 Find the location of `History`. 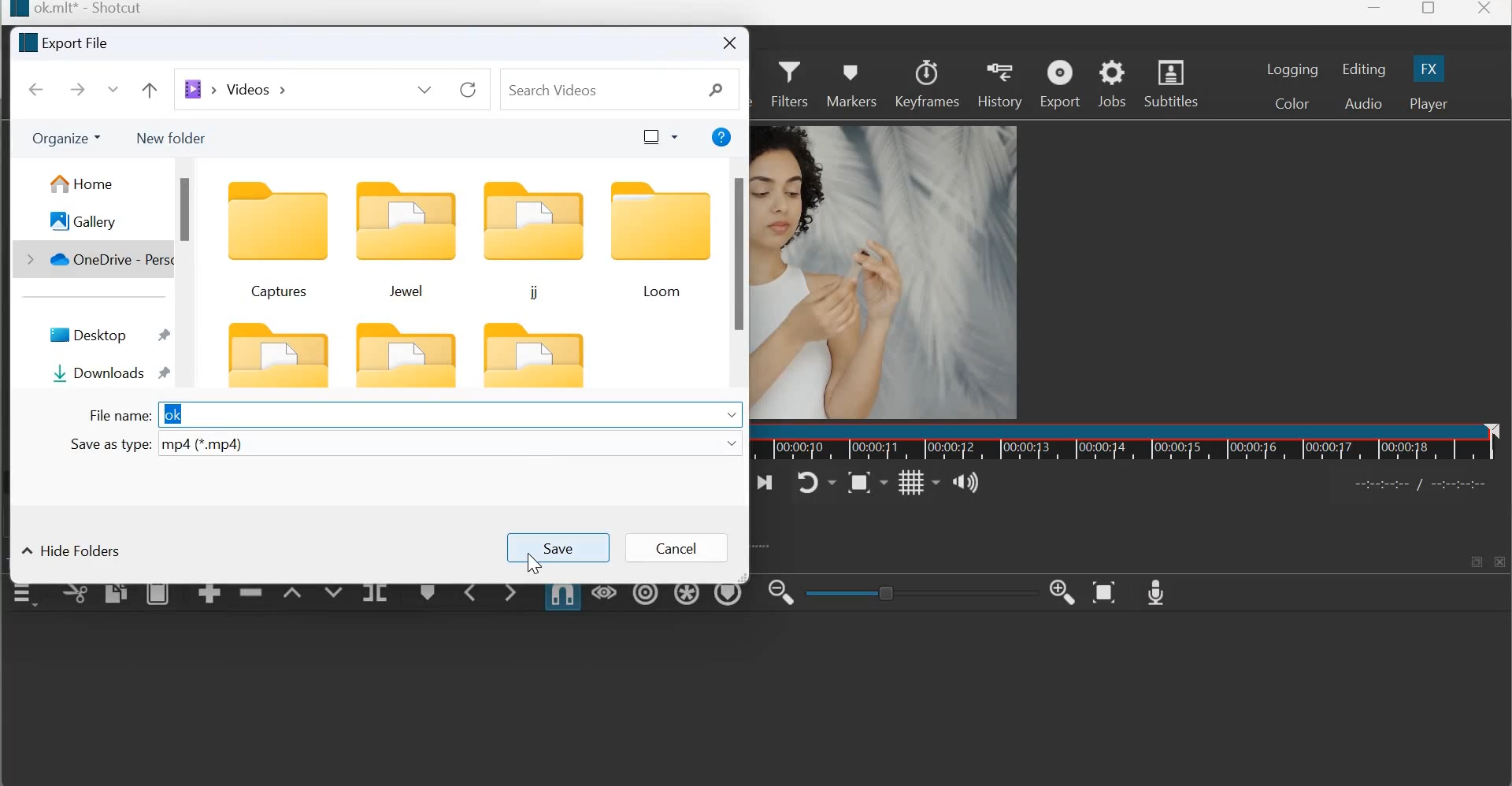

History is located at coordinates (999, 83).